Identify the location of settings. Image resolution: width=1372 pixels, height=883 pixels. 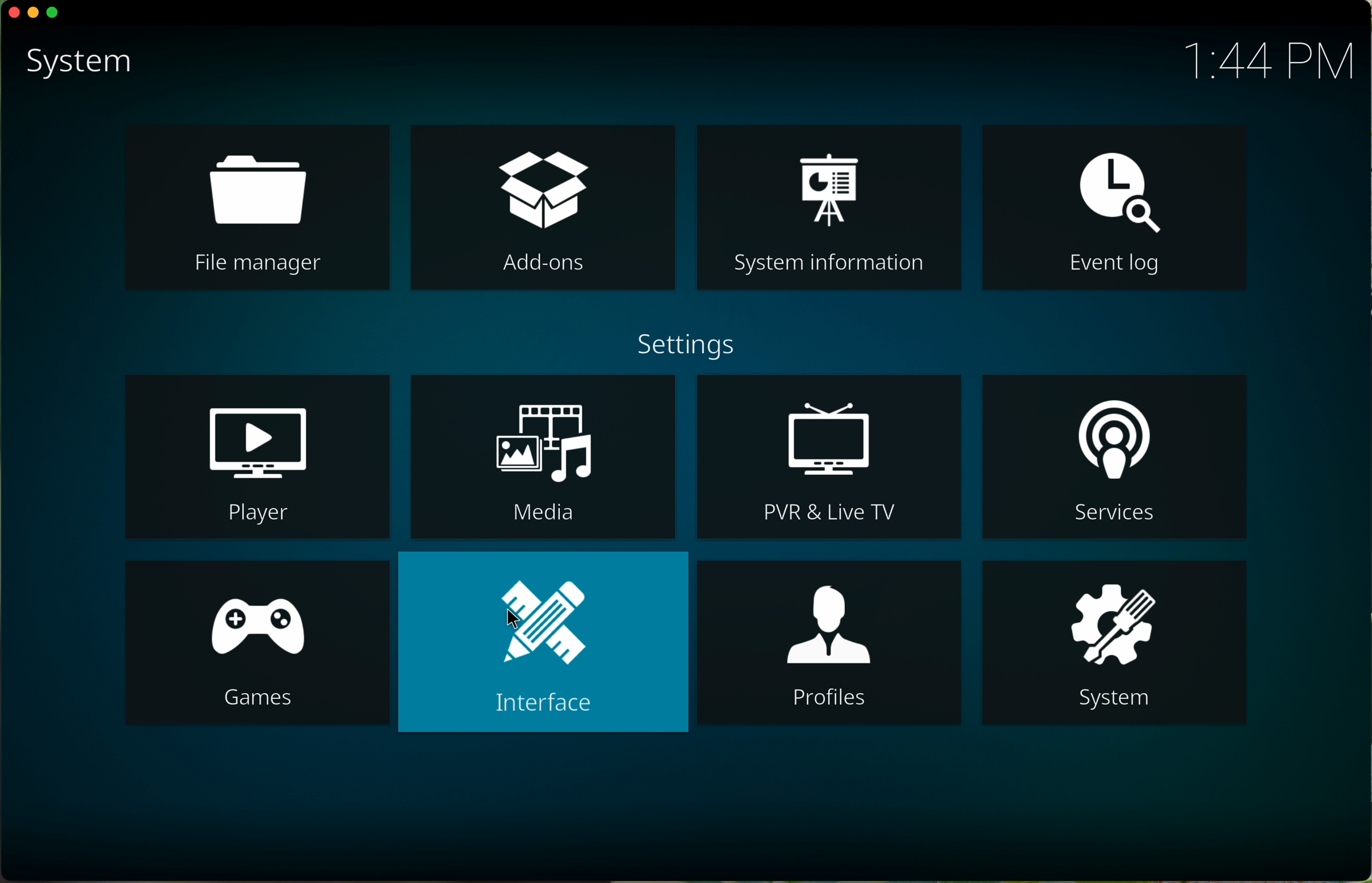
(683, 342).